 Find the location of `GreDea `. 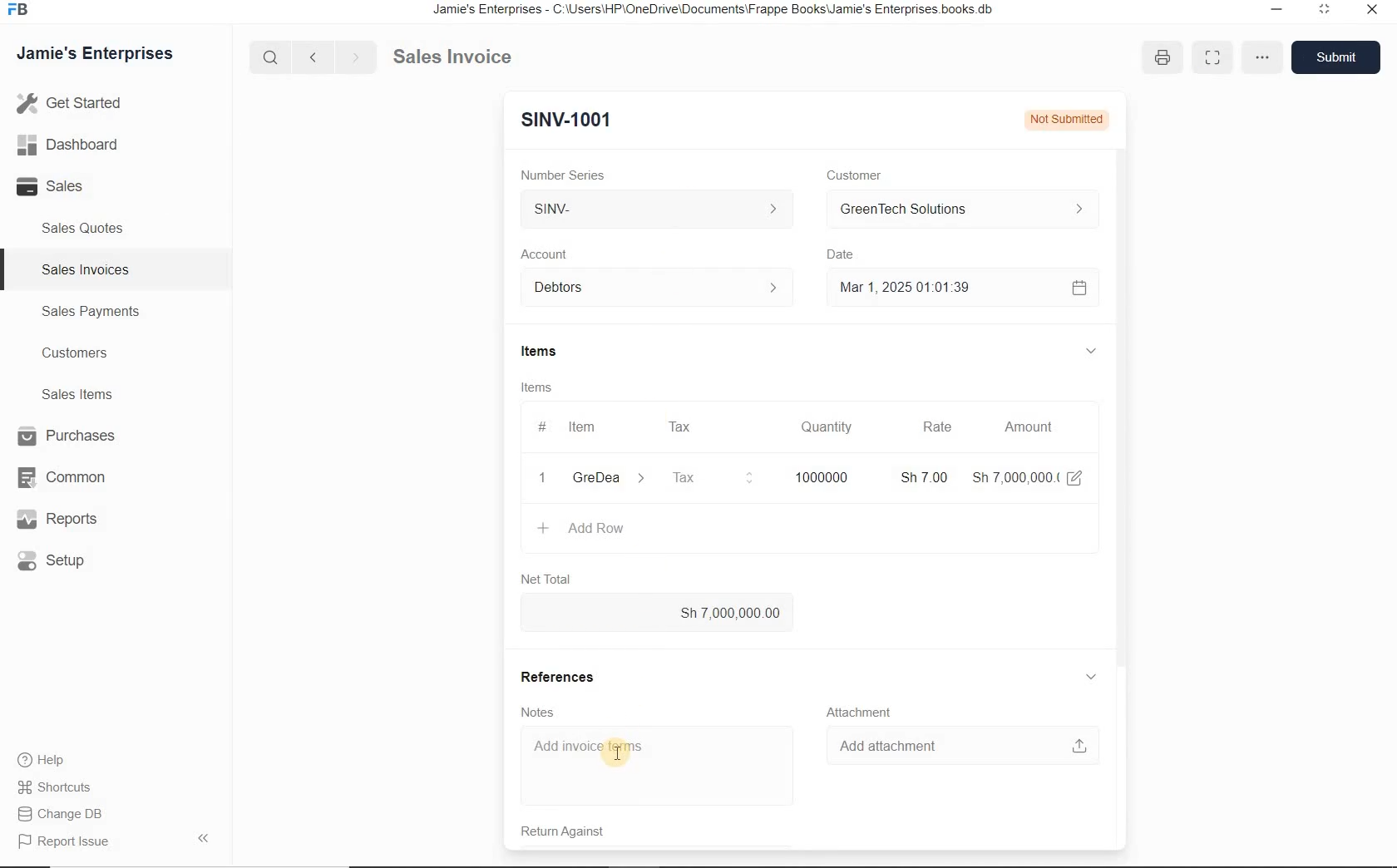

GreDea  is located at coordinates (606, 479).